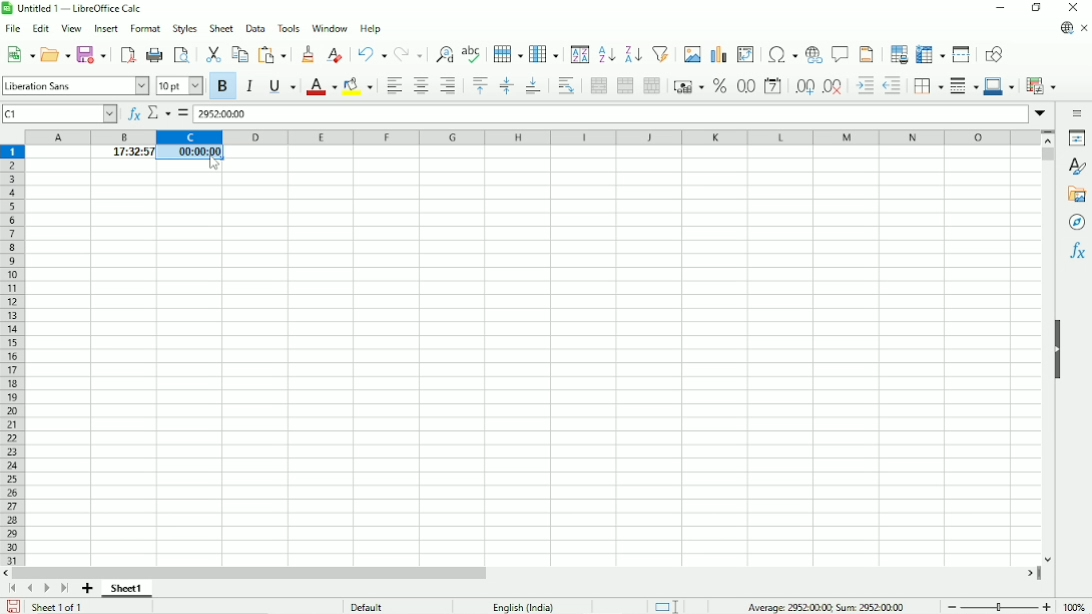 The image size is (1092, 614). What do you see at coordinates (480, 86) in the screenshot?
I see `Align top` at bounding box center [480, 86].